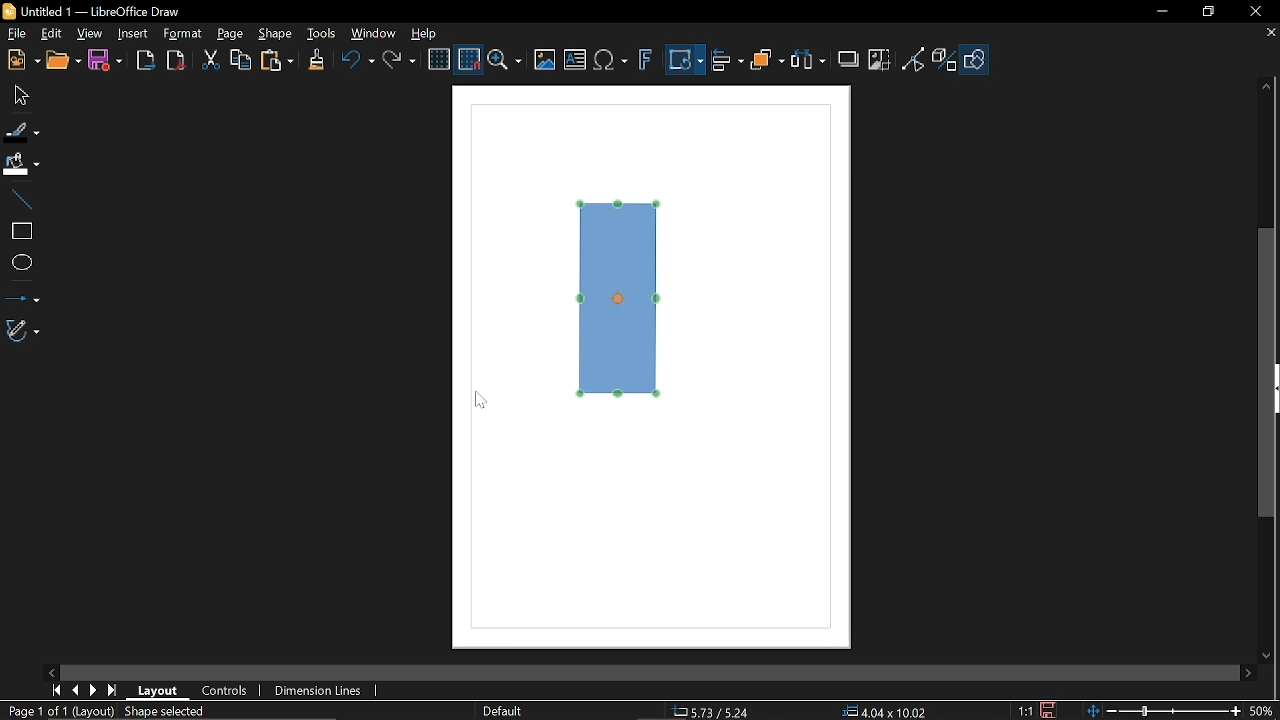 Image resolution: width=1280 pixels, height=720 pixels. Describe the element at coordinates (20, 165) in the screenshot. I see `Fill color` at that location.